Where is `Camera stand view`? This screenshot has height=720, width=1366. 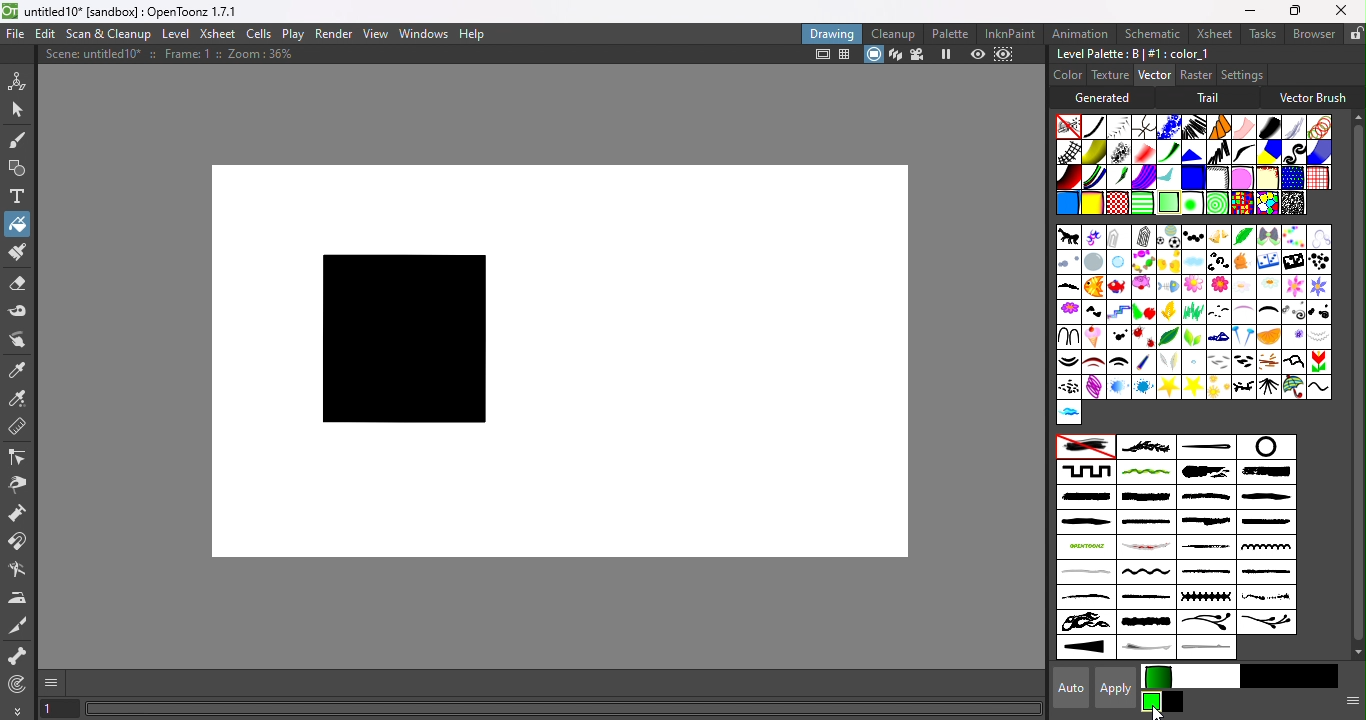 Camera stand view is located at coordinates (873, 55).